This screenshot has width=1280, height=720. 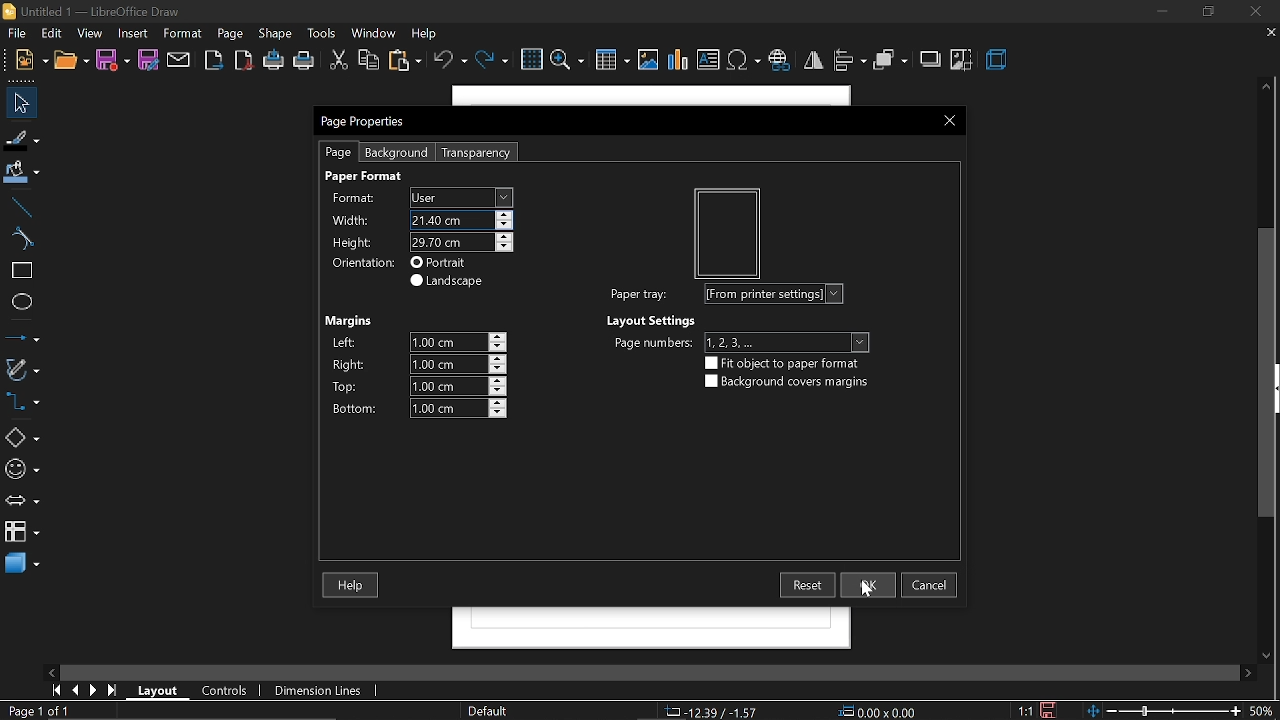 I want to click on insert image, so click(x=647, y=60).